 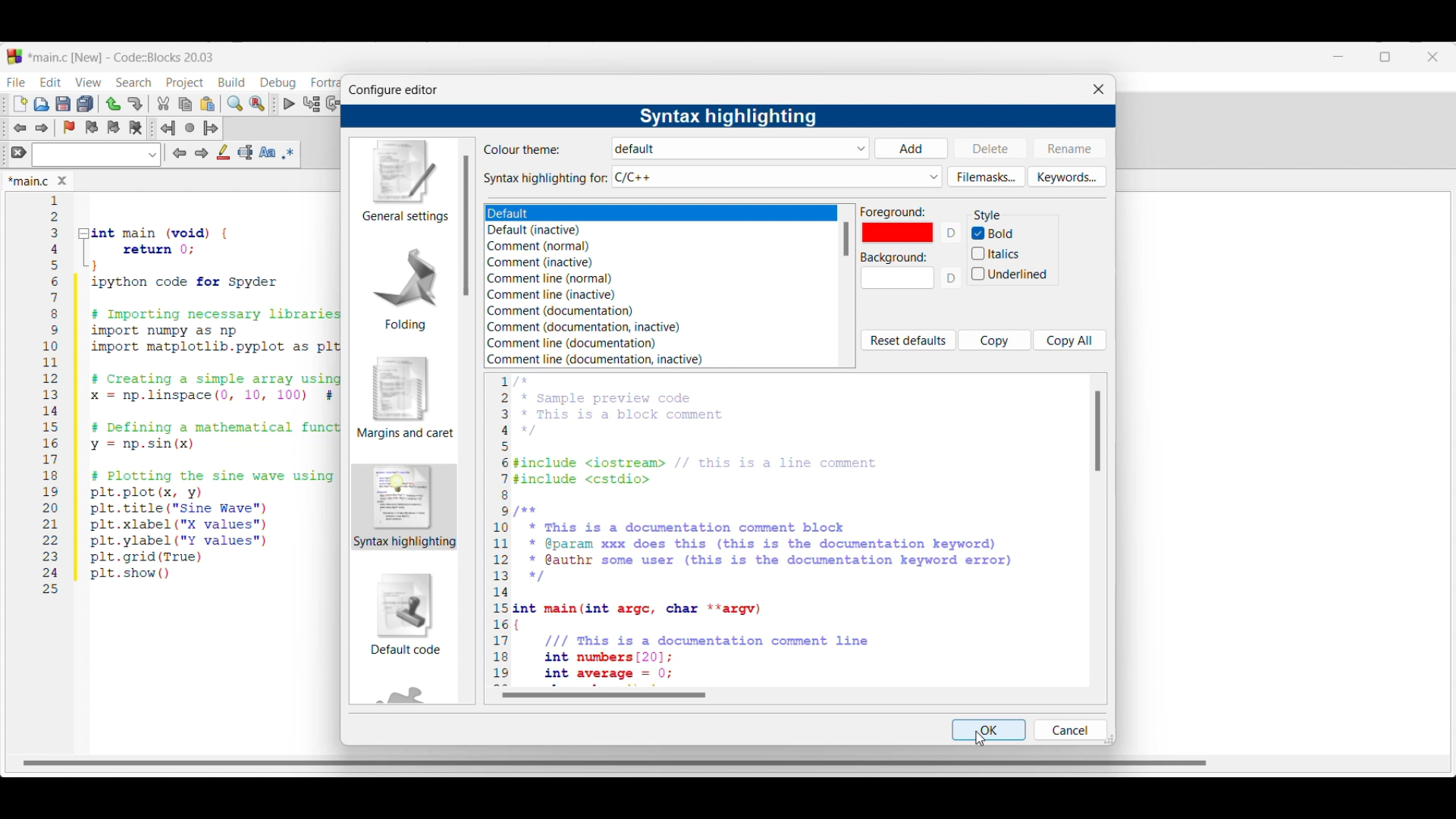 What do you see at coordinates (85, 103) in the screenshot?
I see `Save everything` at bounding box center [85, 103].